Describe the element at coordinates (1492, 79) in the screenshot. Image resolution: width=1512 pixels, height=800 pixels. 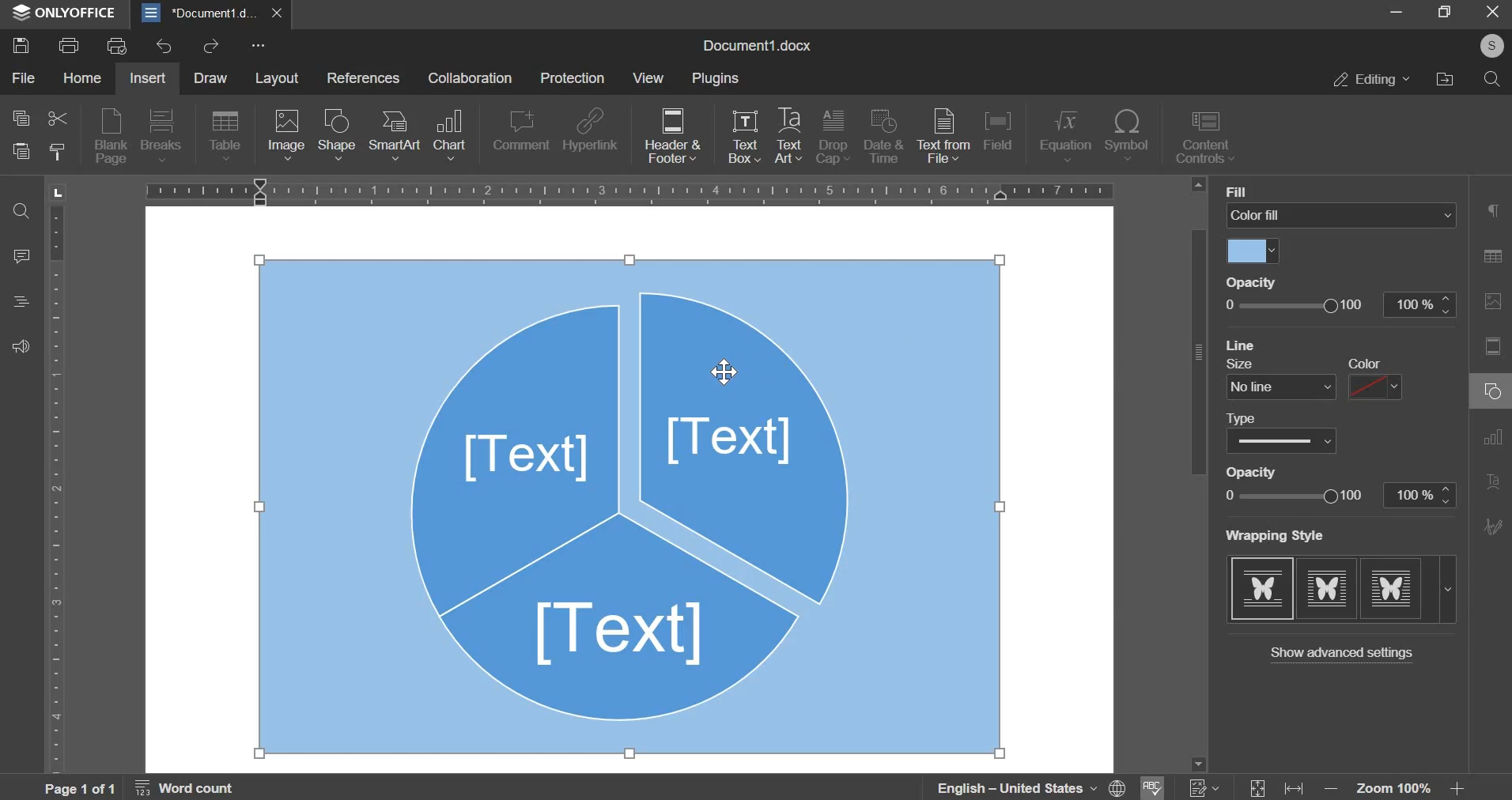
I see `search` at that location.